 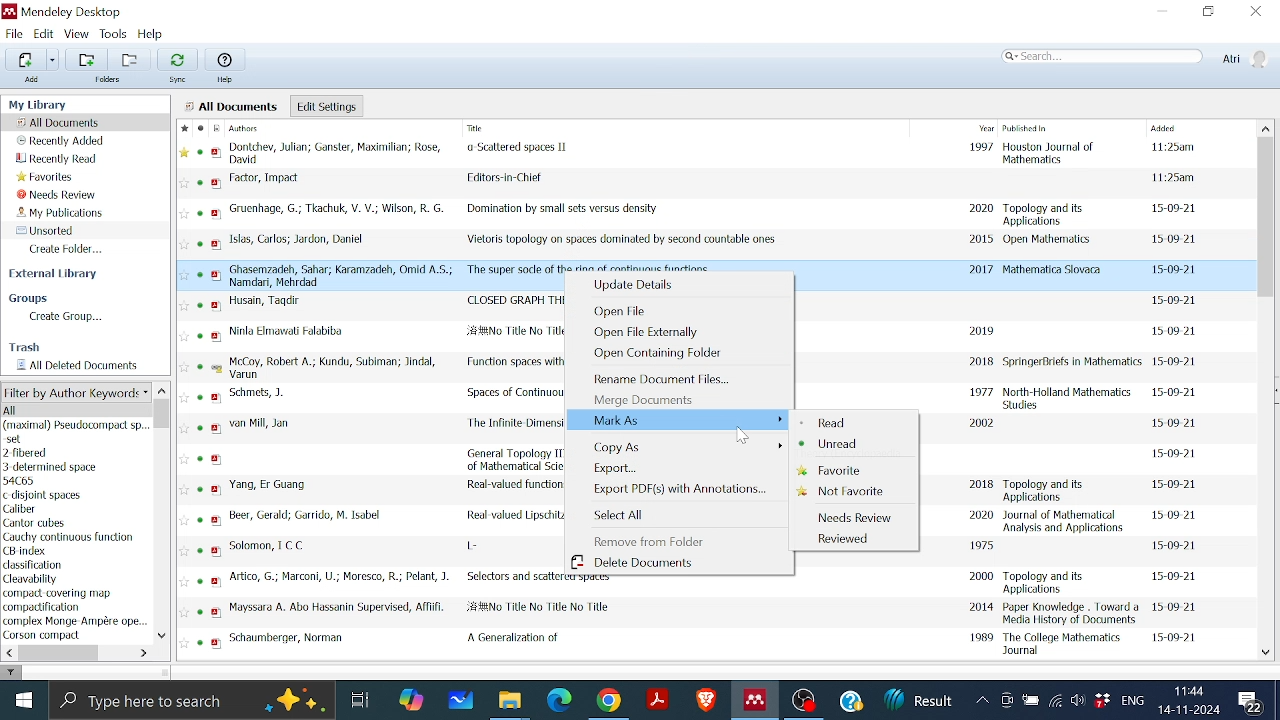 What do you see at coordinates (79, 363) in the screenshot?
I see `All deleted documents` at bounding box center [79, 363].